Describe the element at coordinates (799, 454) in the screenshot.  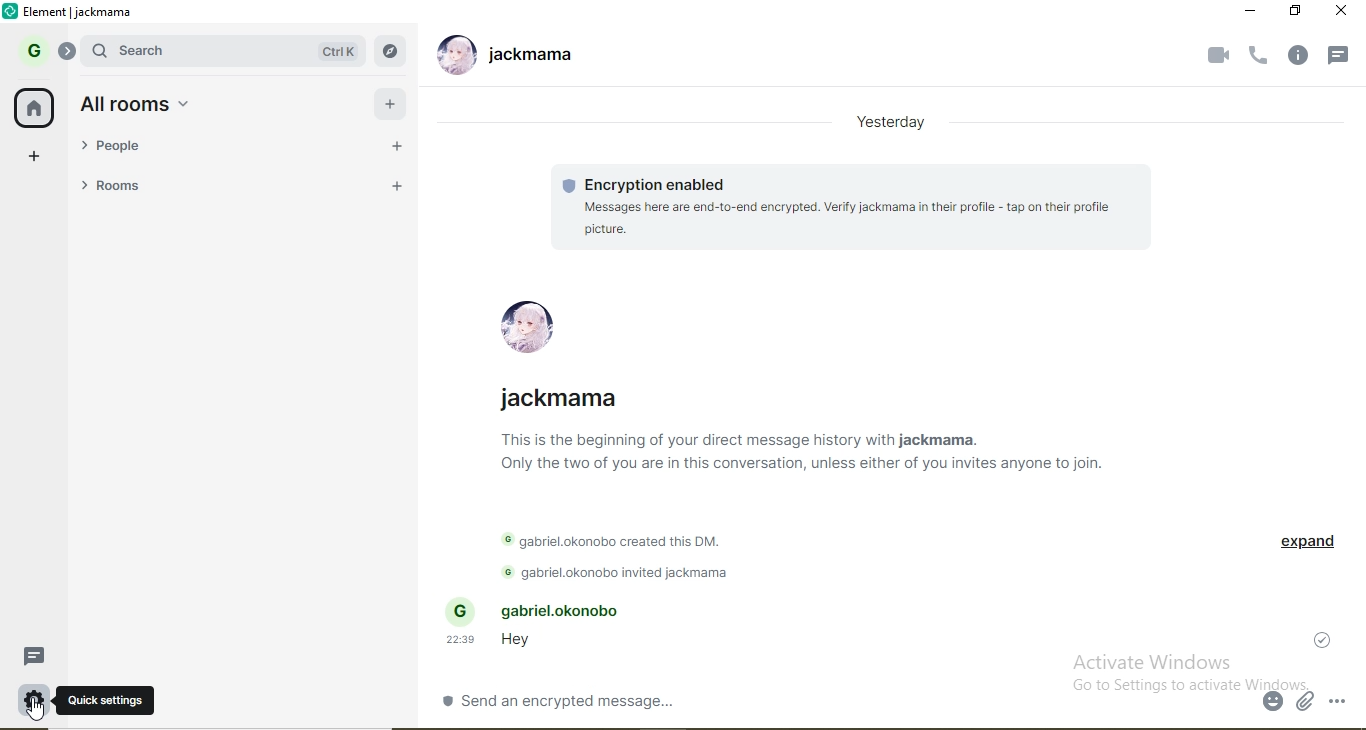
I see `This is the beginning of your direct message history with jackmama.
Only the two of you are in this conversation, unless either of you invites anyone to join.` at that location.